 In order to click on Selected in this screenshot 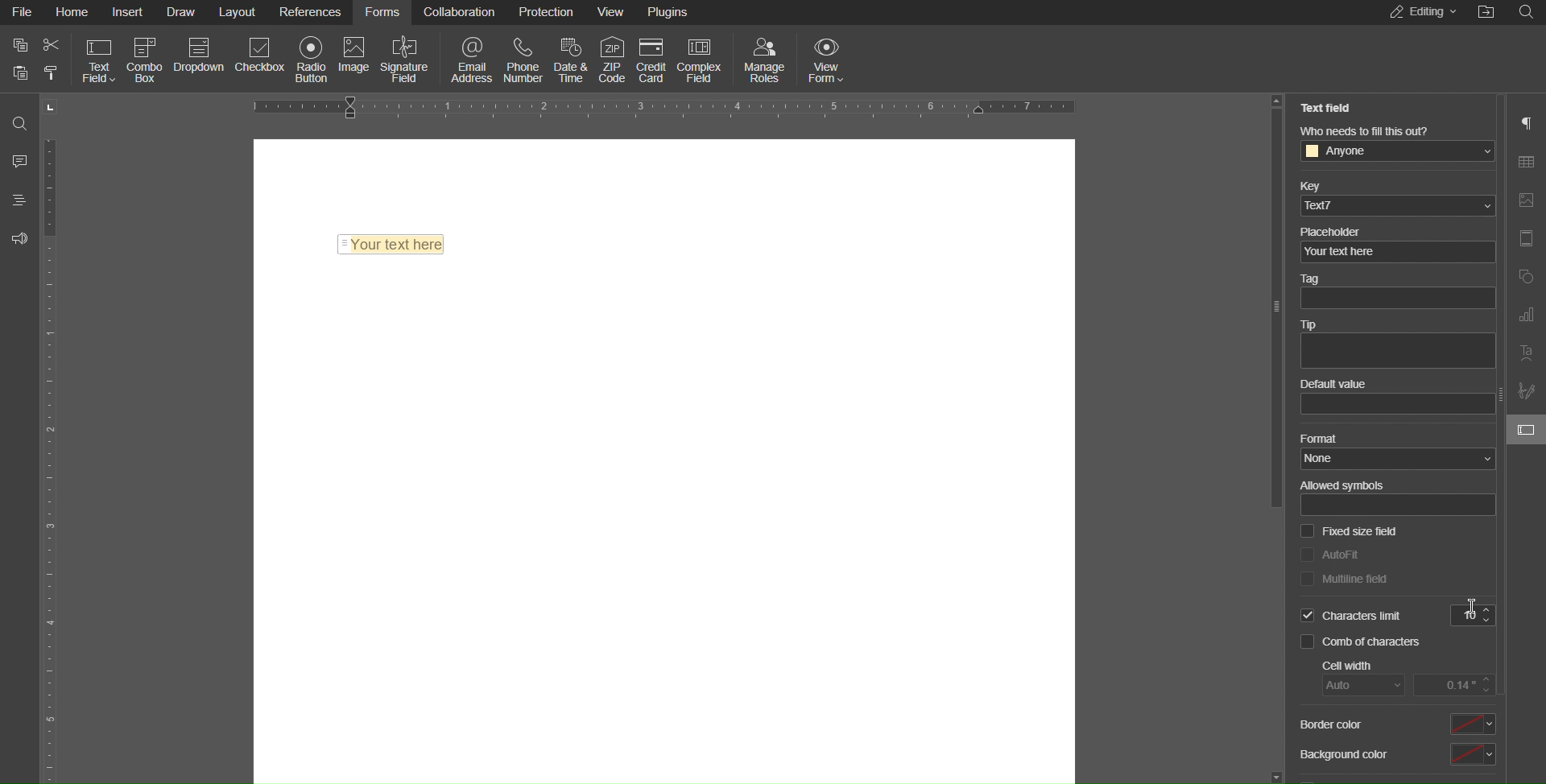, I will do `click(1349, 617)`.